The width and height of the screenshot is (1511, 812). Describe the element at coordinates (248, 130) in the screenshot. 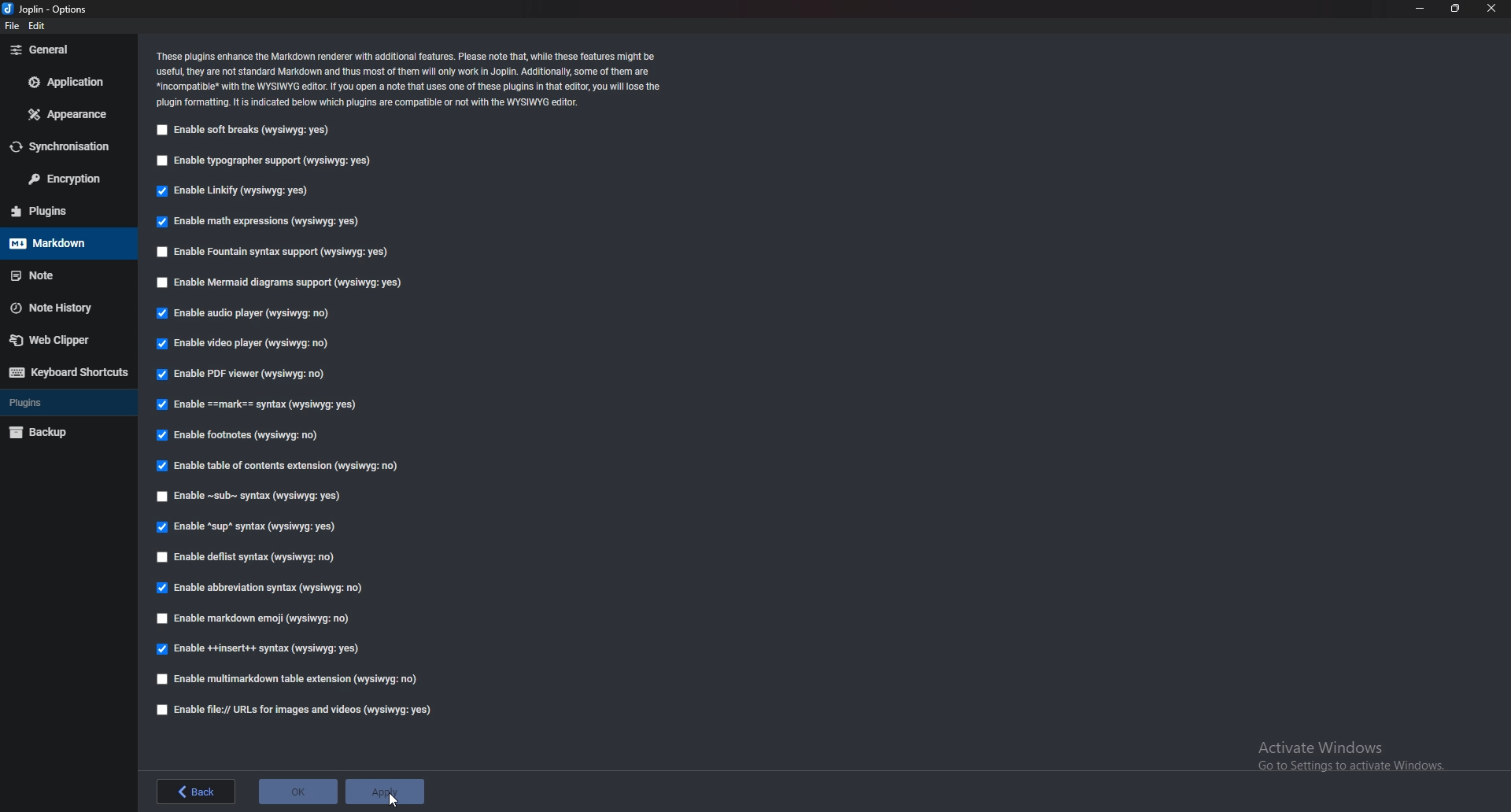

I see `enable soft breaks` at that location.